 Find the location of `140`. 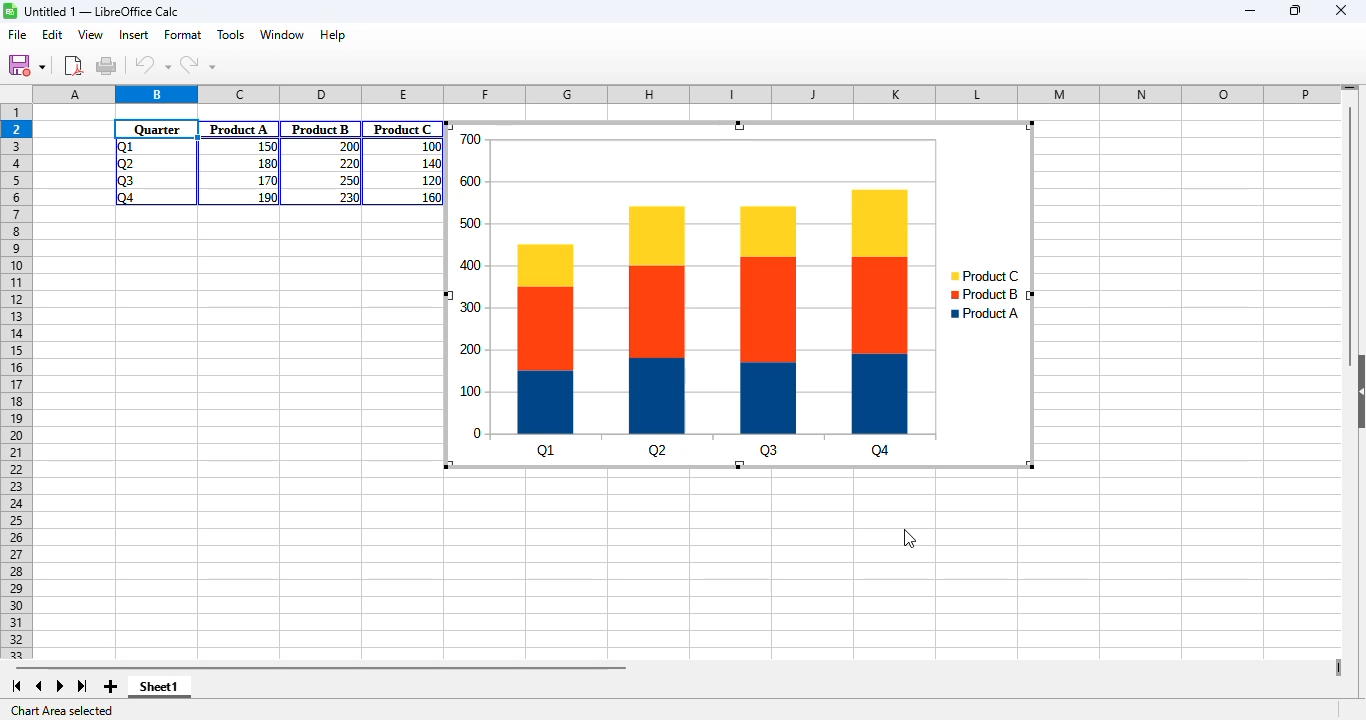

140 is located at coordinates (428, 164).